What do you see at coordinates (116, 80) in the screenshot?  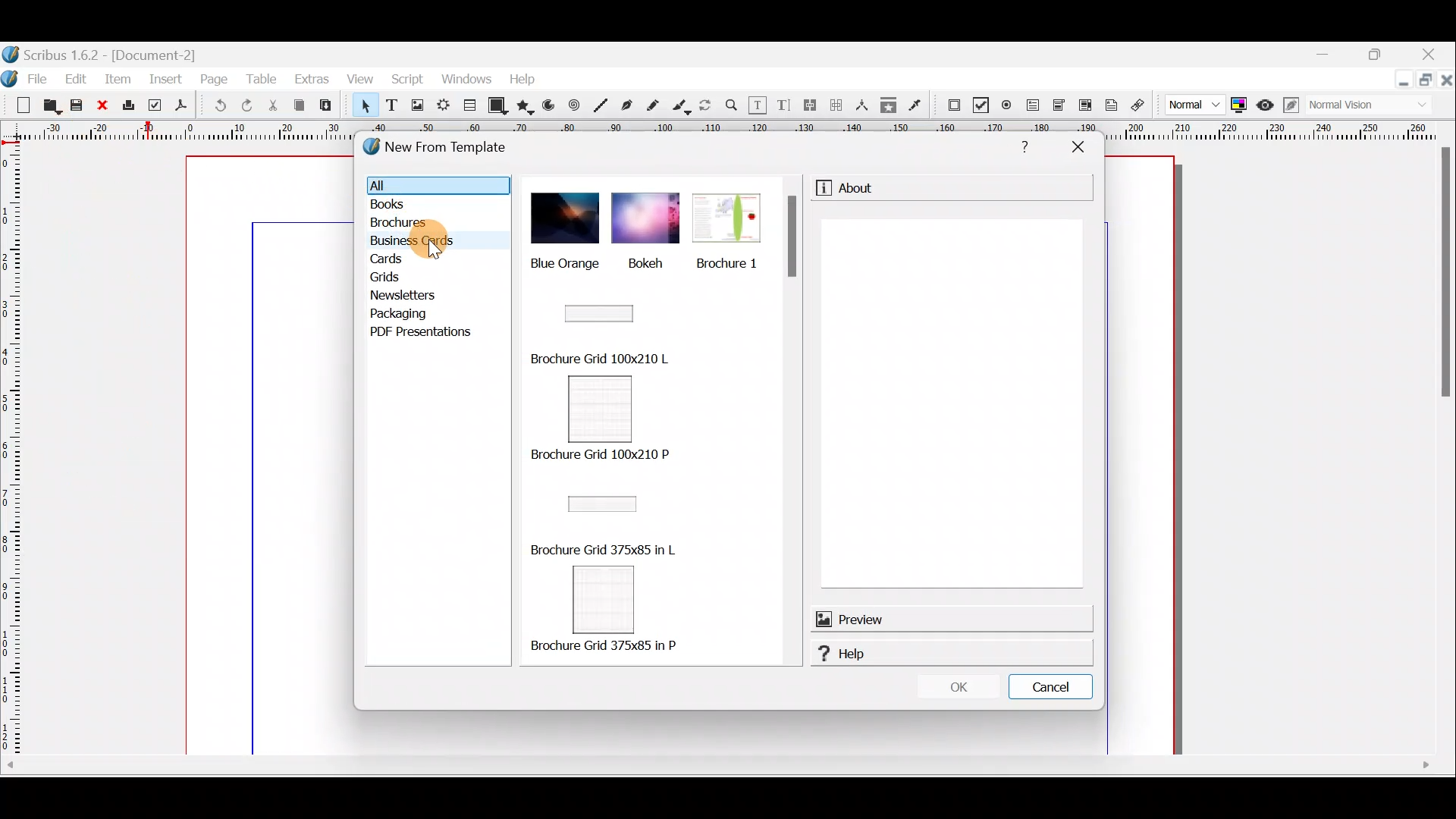 I see `Item` at bounding box center [116, 80].